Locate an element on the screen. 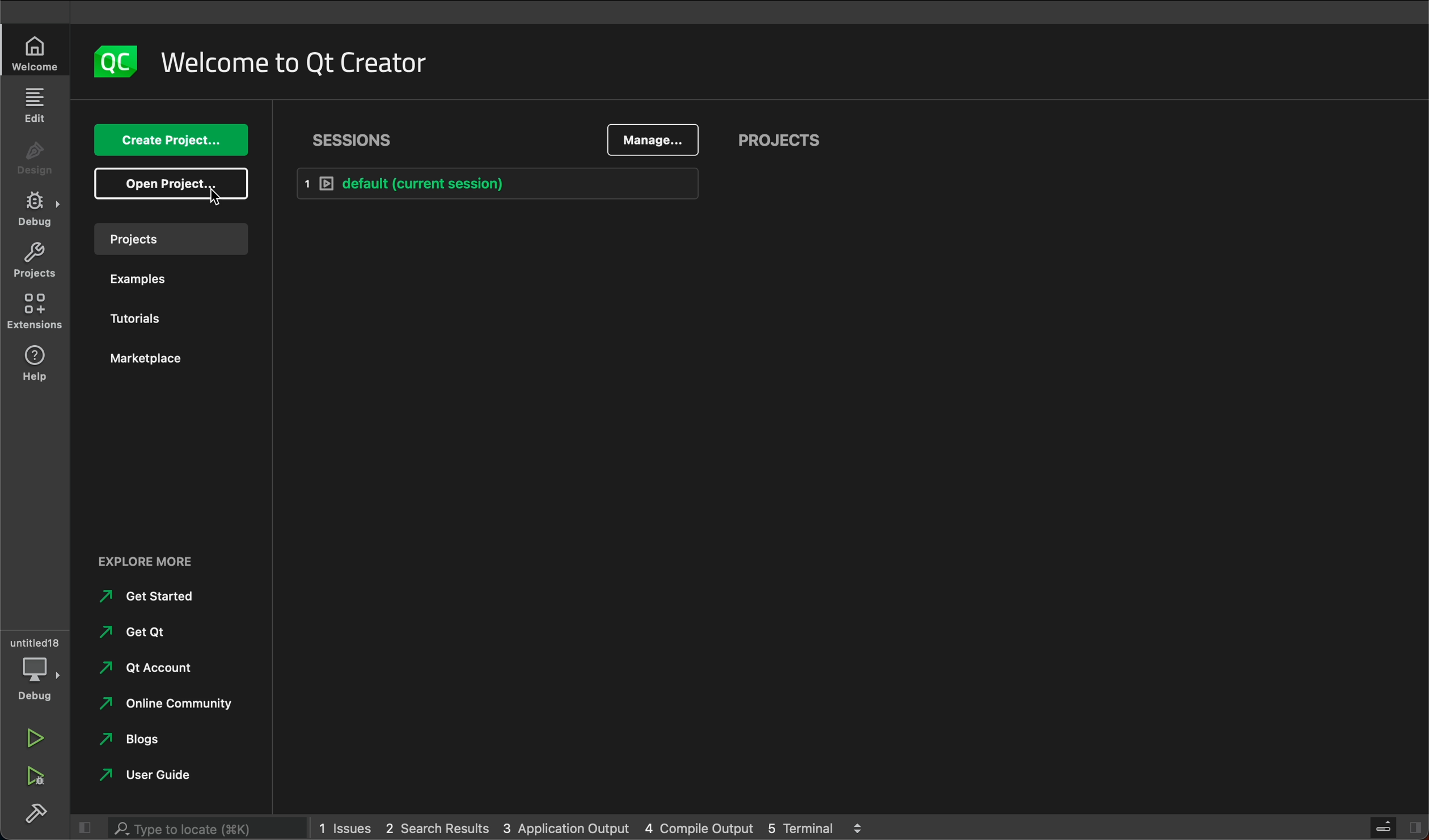 This screenshot has width=1429, height=840. welcome is located at coordinates (33, 54).